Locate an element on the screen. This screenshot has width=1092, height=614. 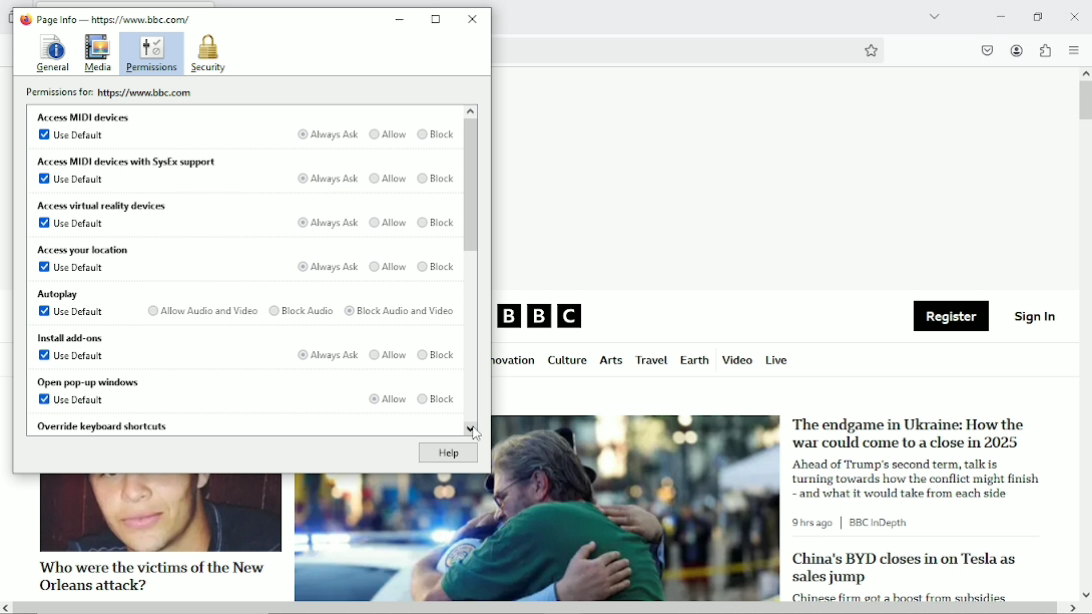
Use default is located at coordinates (74, 400).